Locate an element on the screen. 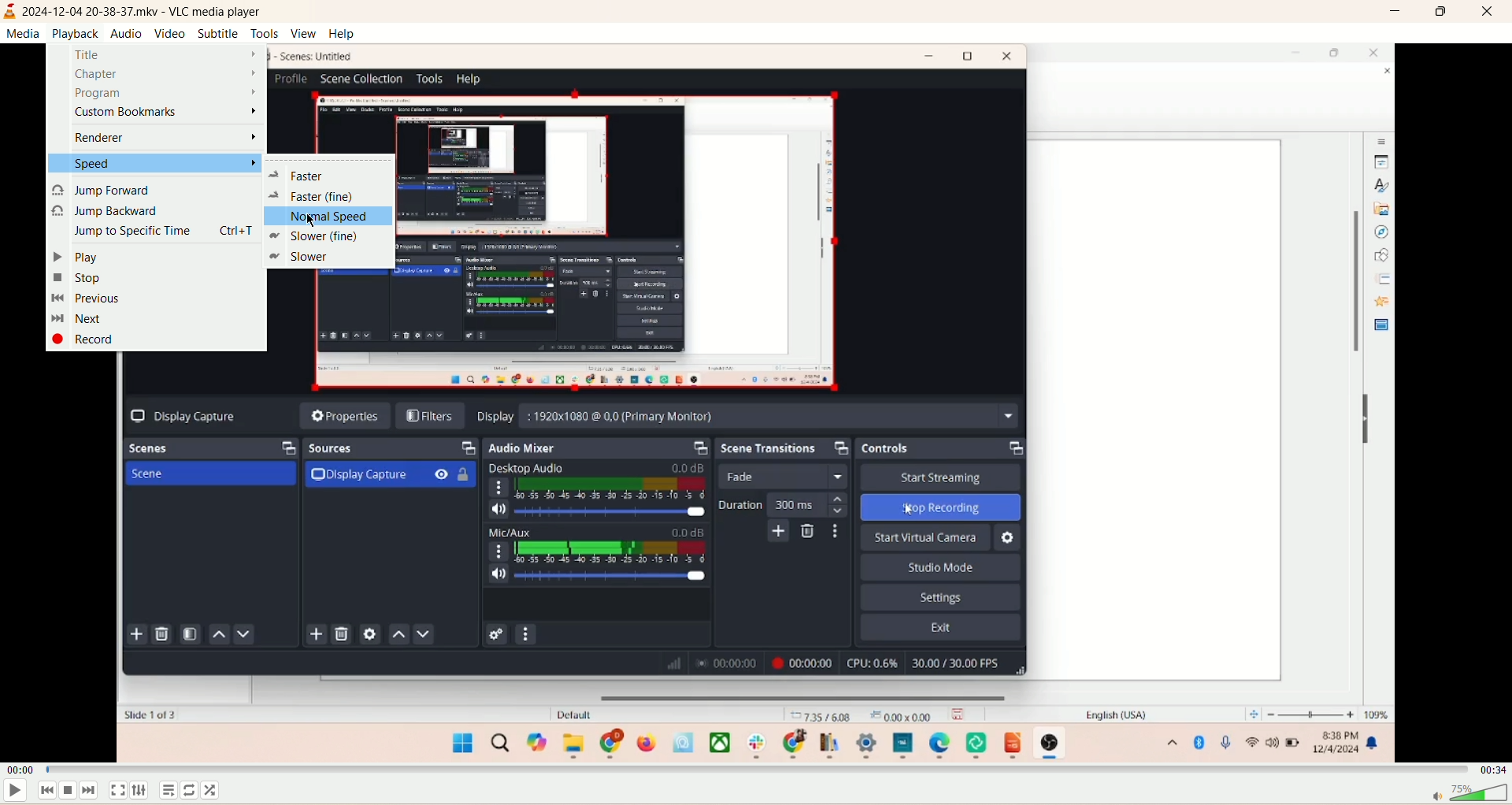  audio is located at coordinates (126, 32).